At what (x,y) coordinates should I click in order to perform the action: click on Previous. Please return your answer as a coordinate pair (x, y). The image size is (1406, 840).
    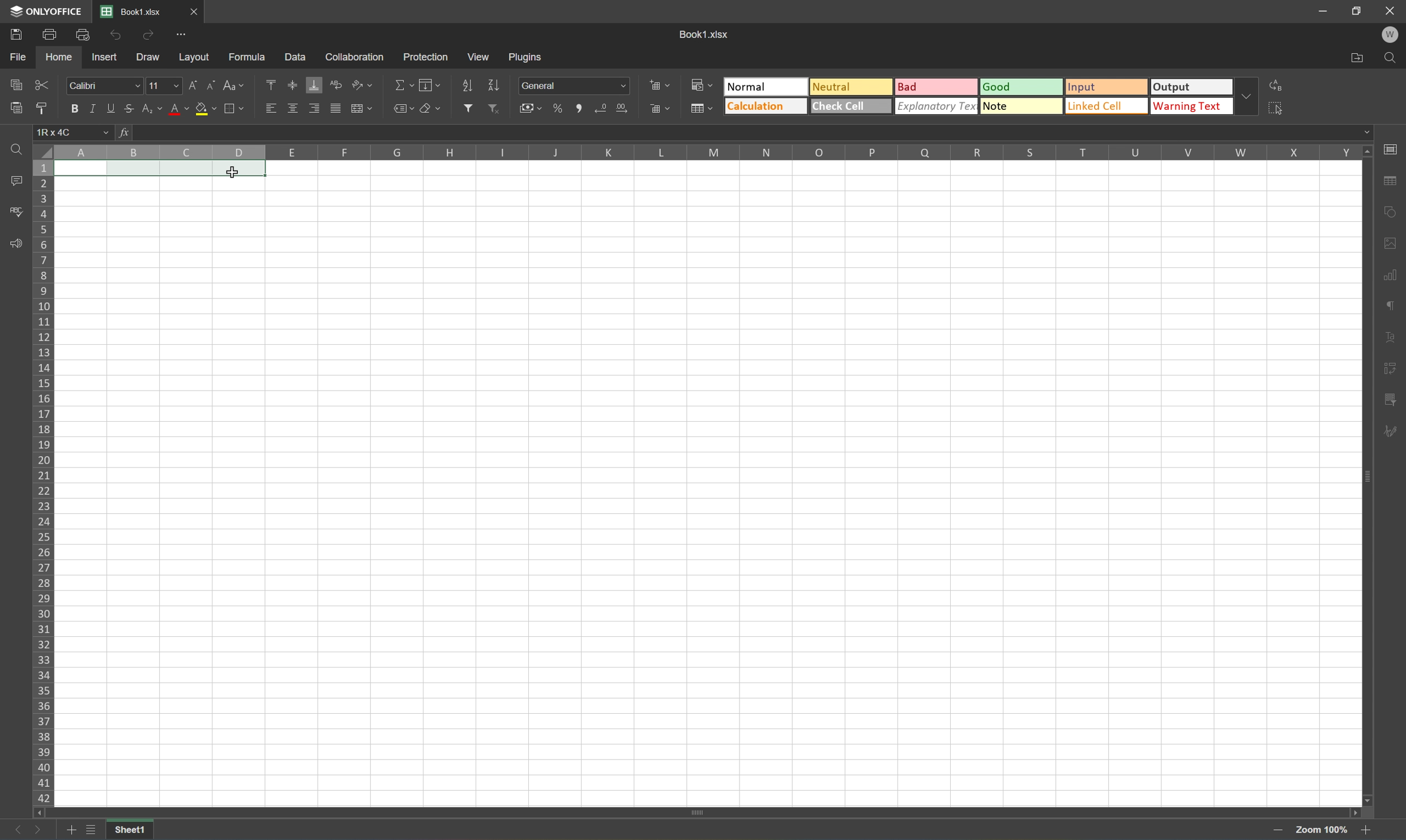
    Looking at the image, I should click on (11, 831).